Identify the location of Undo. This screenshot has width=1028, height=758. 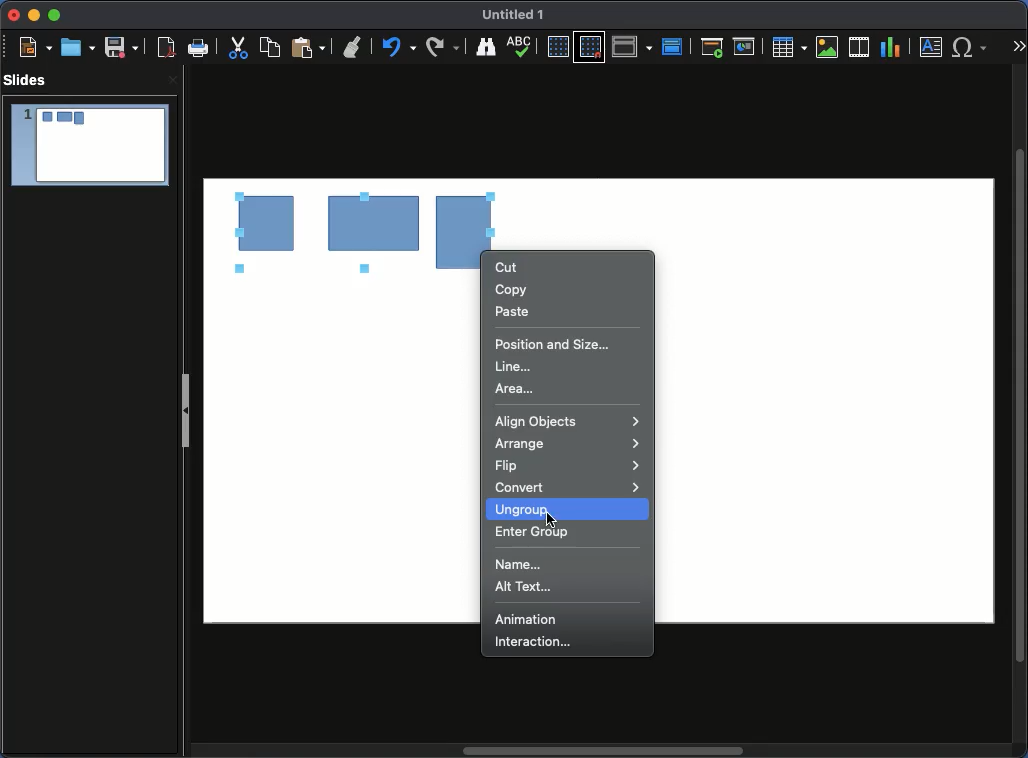
(352, 43).